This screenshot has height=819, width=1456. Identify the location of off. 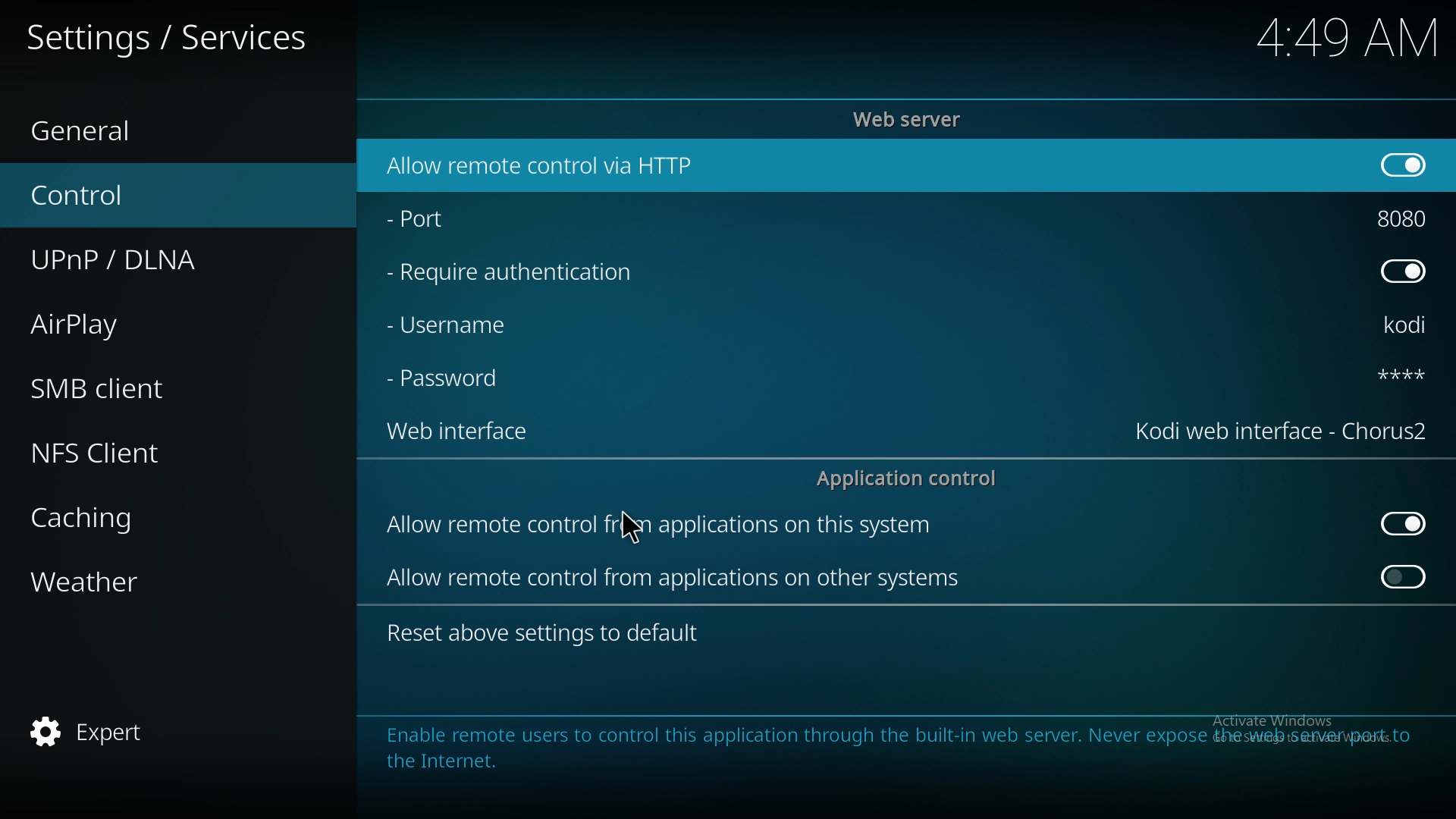
(1402, 522).